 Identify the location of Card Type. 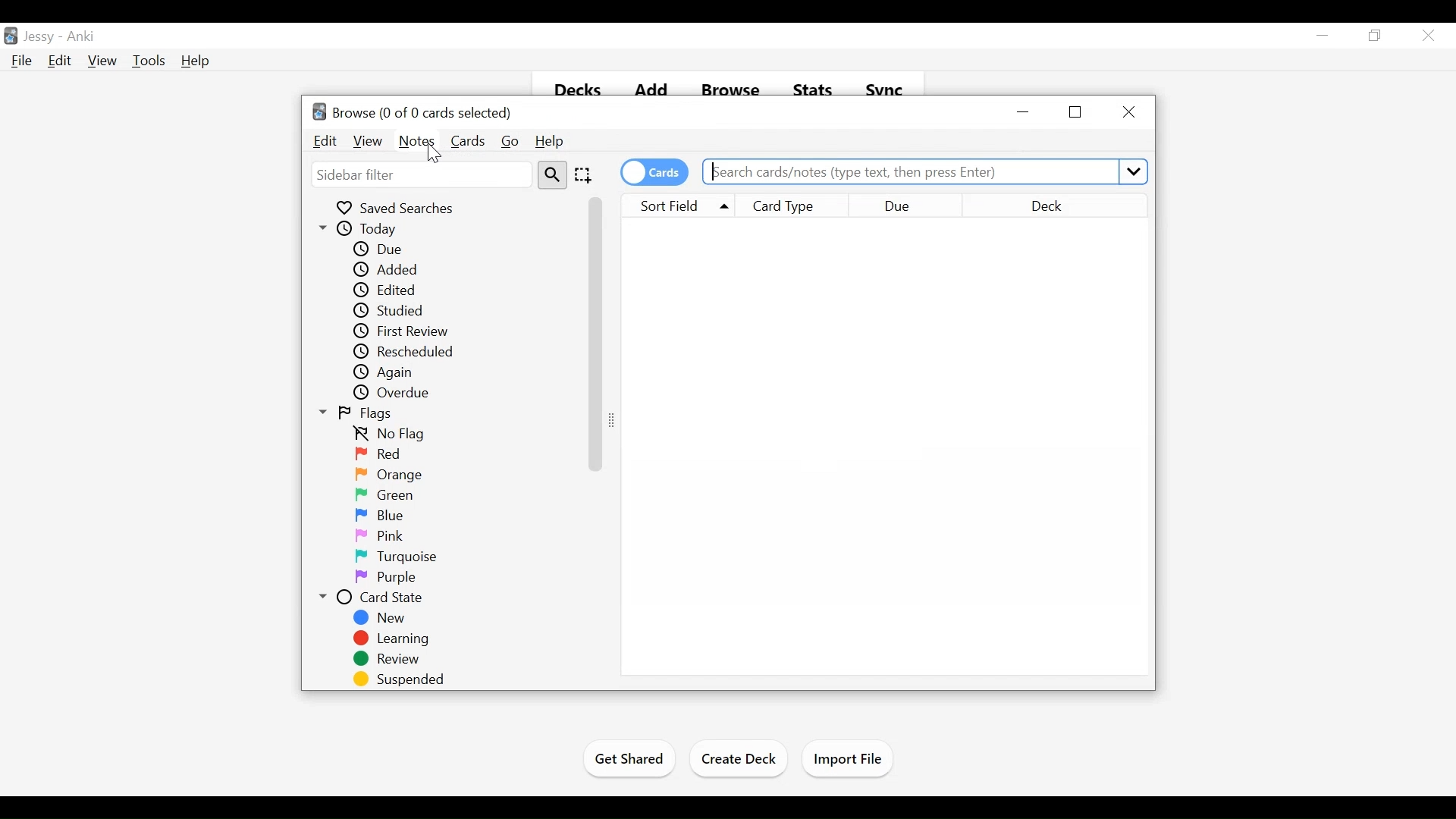
(792, 204).